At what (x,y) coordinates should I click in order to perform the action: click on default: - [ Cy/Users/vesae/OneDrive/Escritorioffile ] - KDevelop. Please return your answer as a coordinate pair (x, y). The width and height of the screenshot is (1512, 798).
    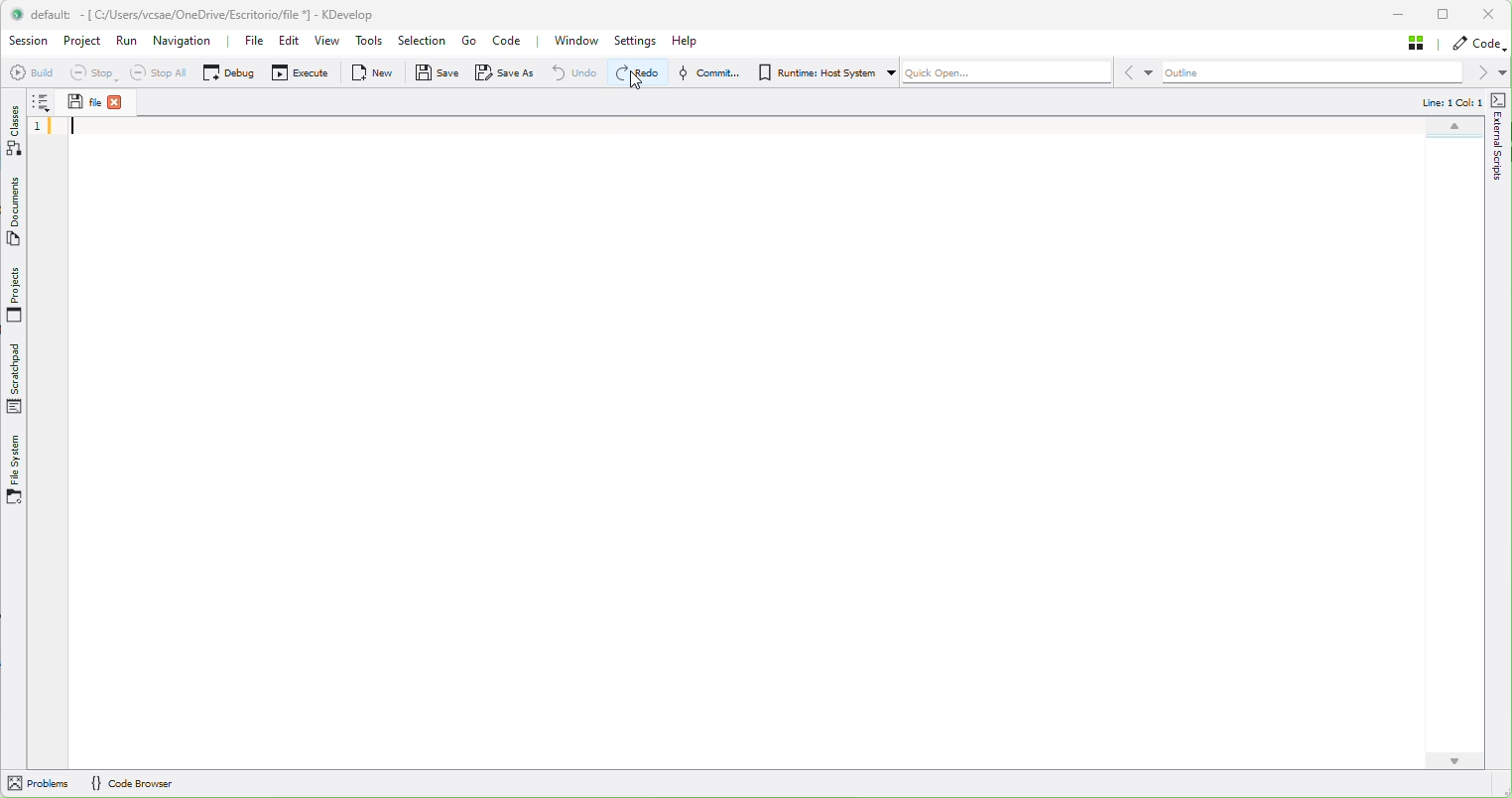
    Looking at the image, I should click on (201, 16).